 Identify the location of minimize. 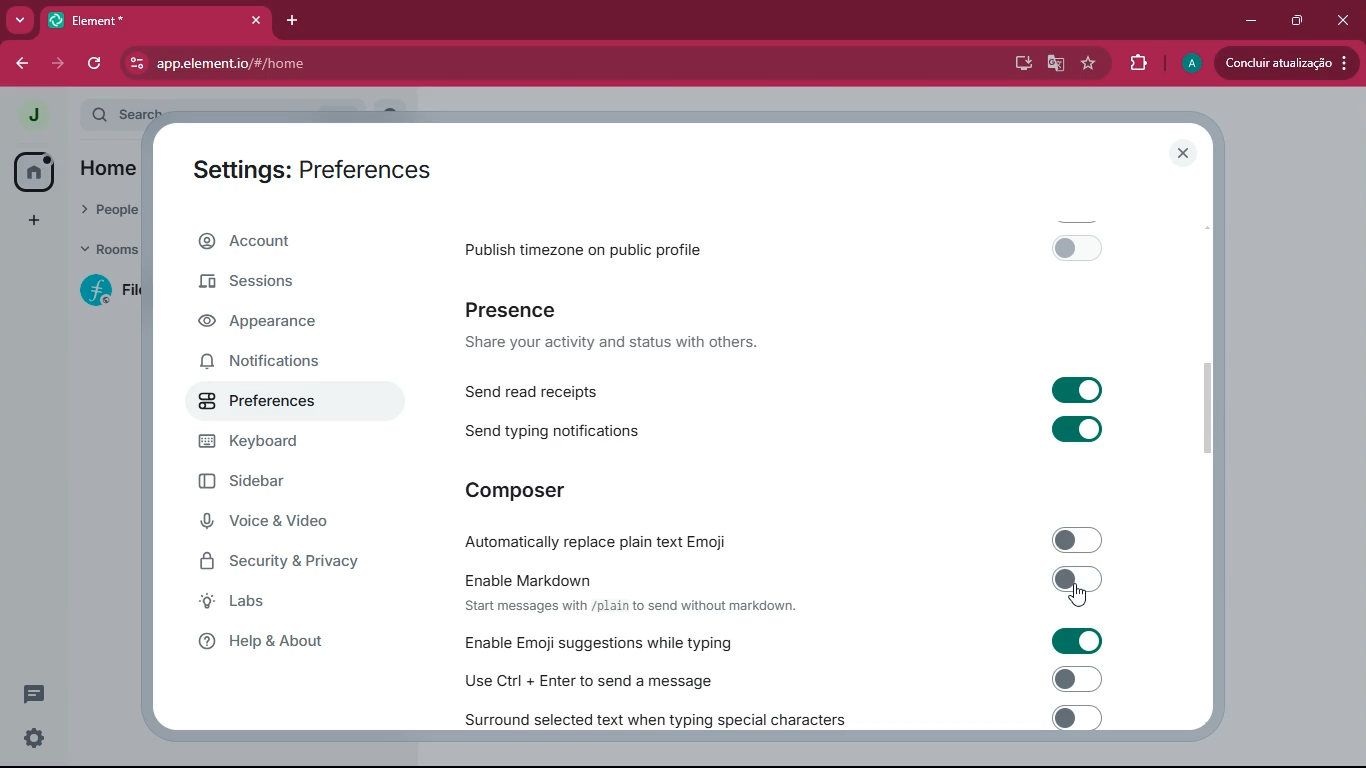
(1250, 21).